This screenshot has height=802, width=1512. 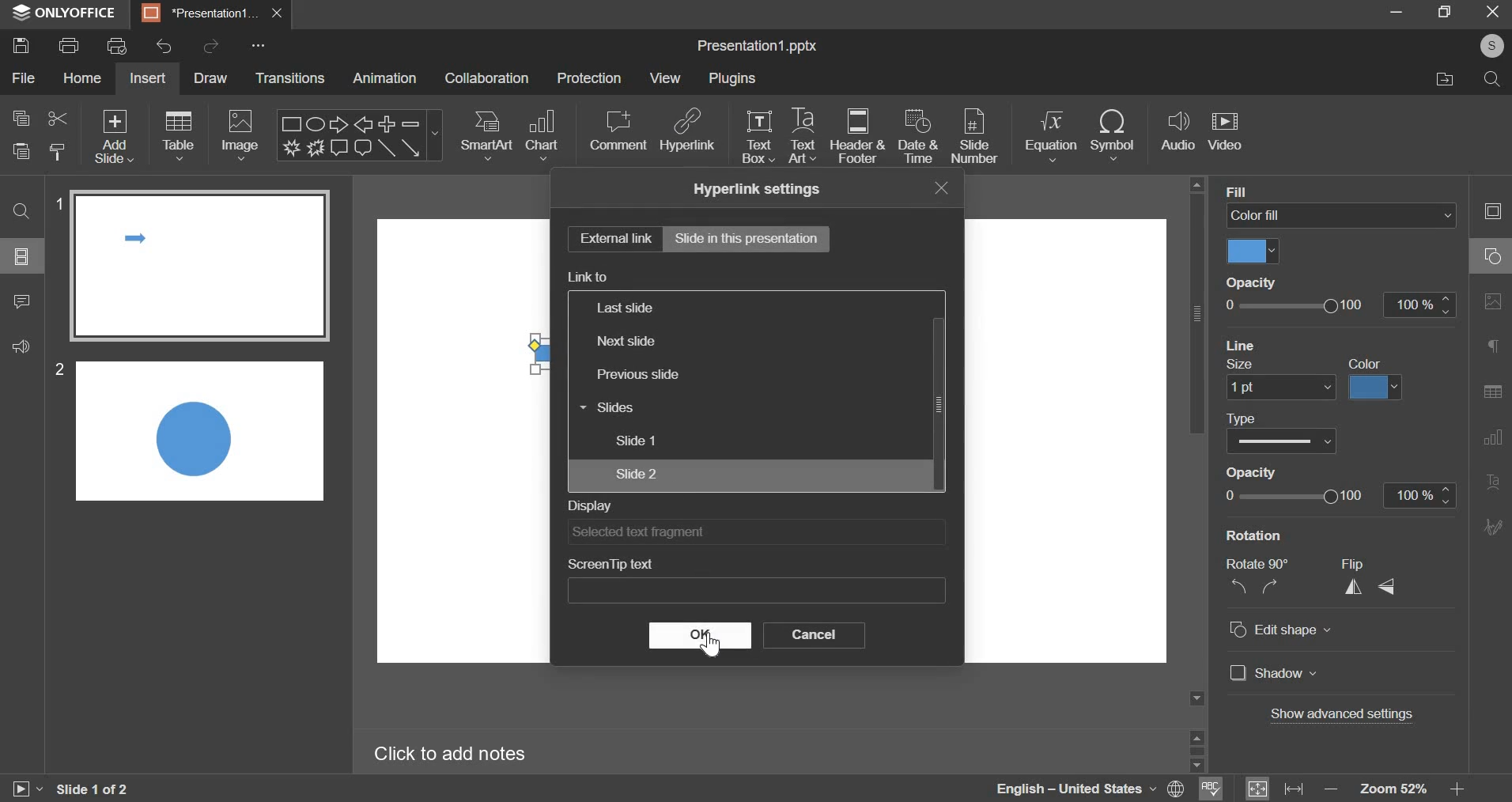 What do you see at coordinates (1199, 766) in the screenshot?
I see `scroll down` at bounding box center [1199, 766].